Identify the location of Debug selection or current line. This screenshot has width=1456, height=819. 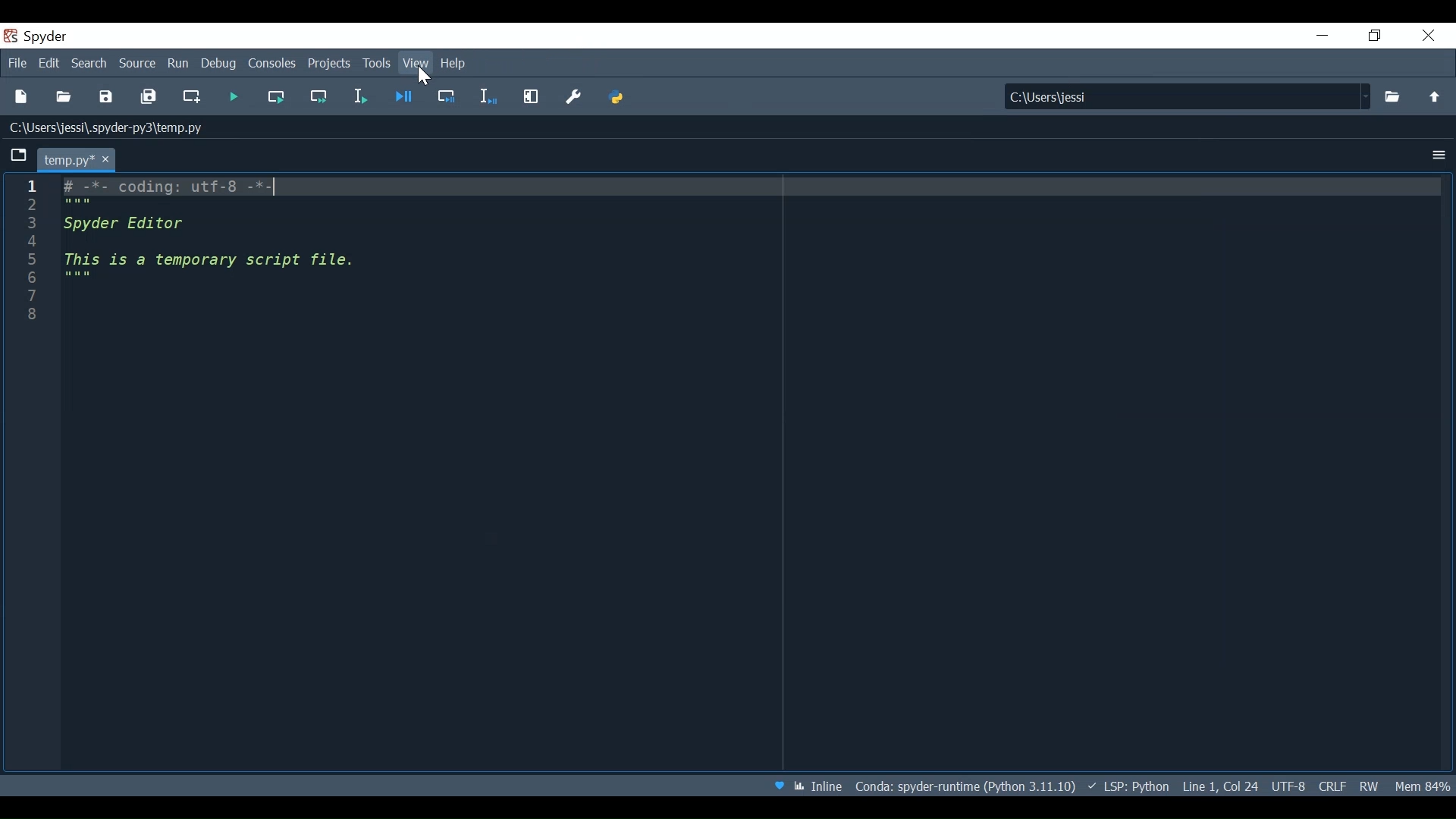
(448, 98).